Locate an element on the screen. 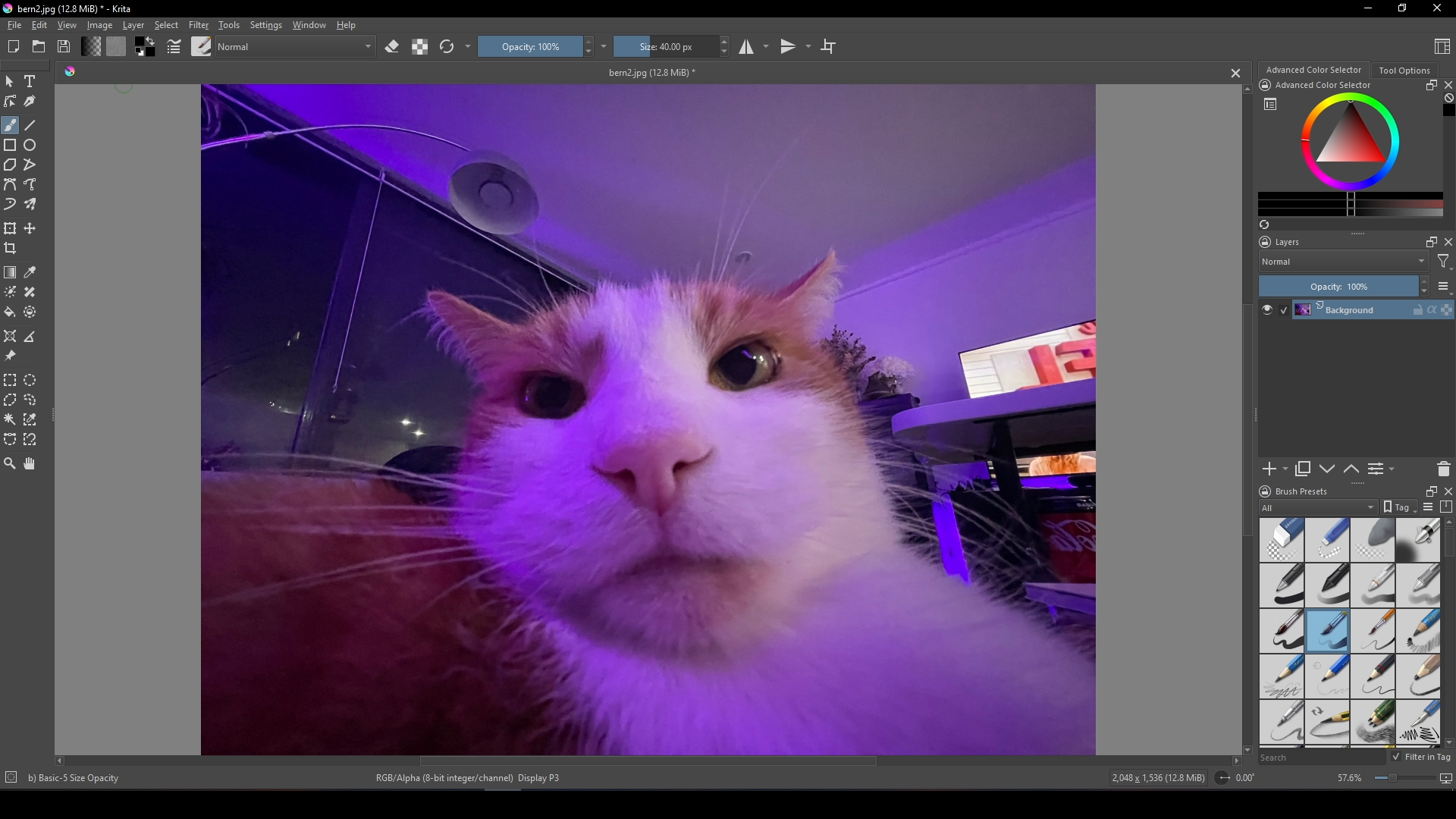  Delete layer is located at coordinates (1443, 469).